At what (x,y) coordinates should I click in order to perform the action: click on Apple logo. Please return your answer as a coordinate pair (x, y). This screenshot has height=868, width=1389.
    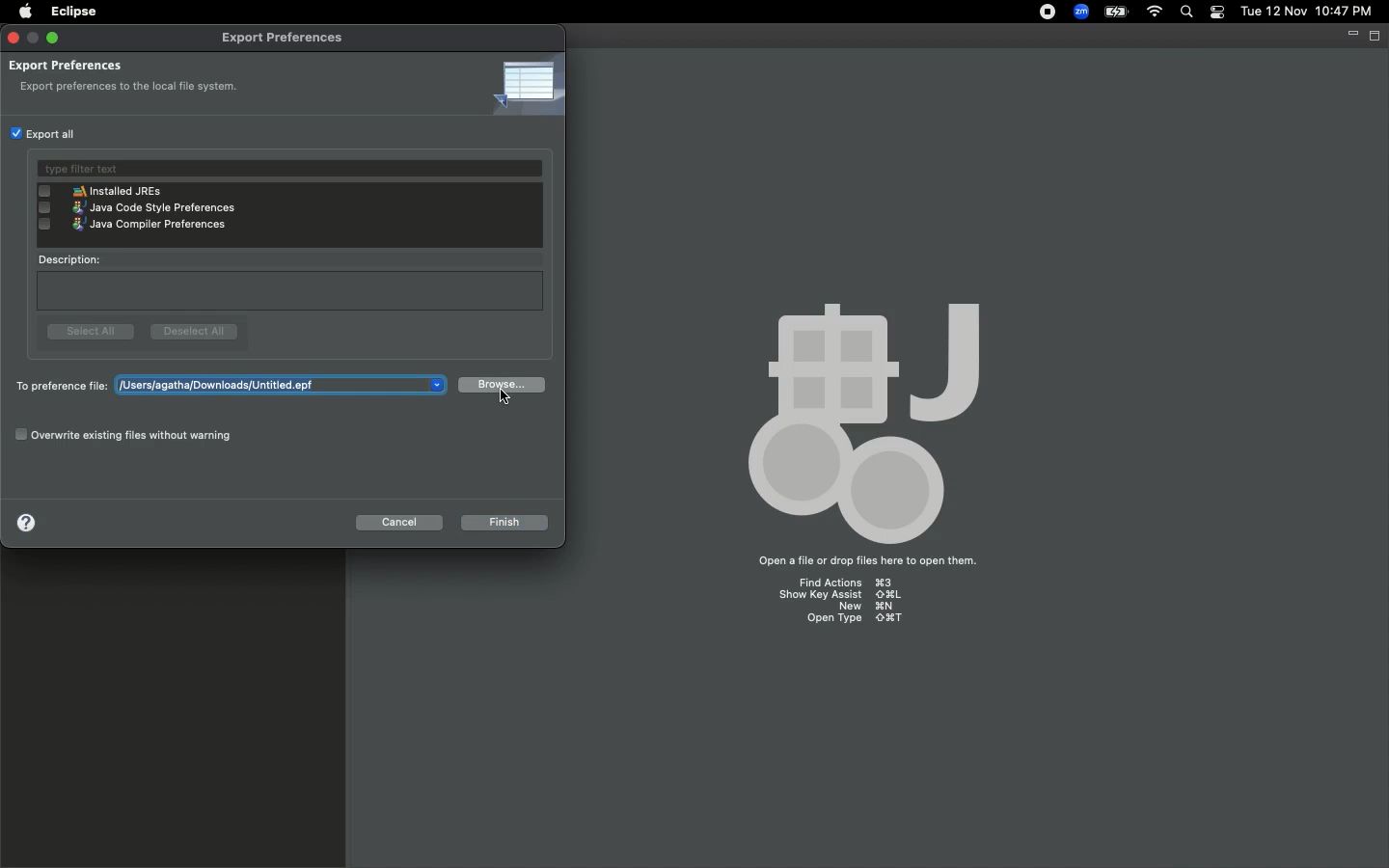
    Looking at the image, I should click on (25, 14).